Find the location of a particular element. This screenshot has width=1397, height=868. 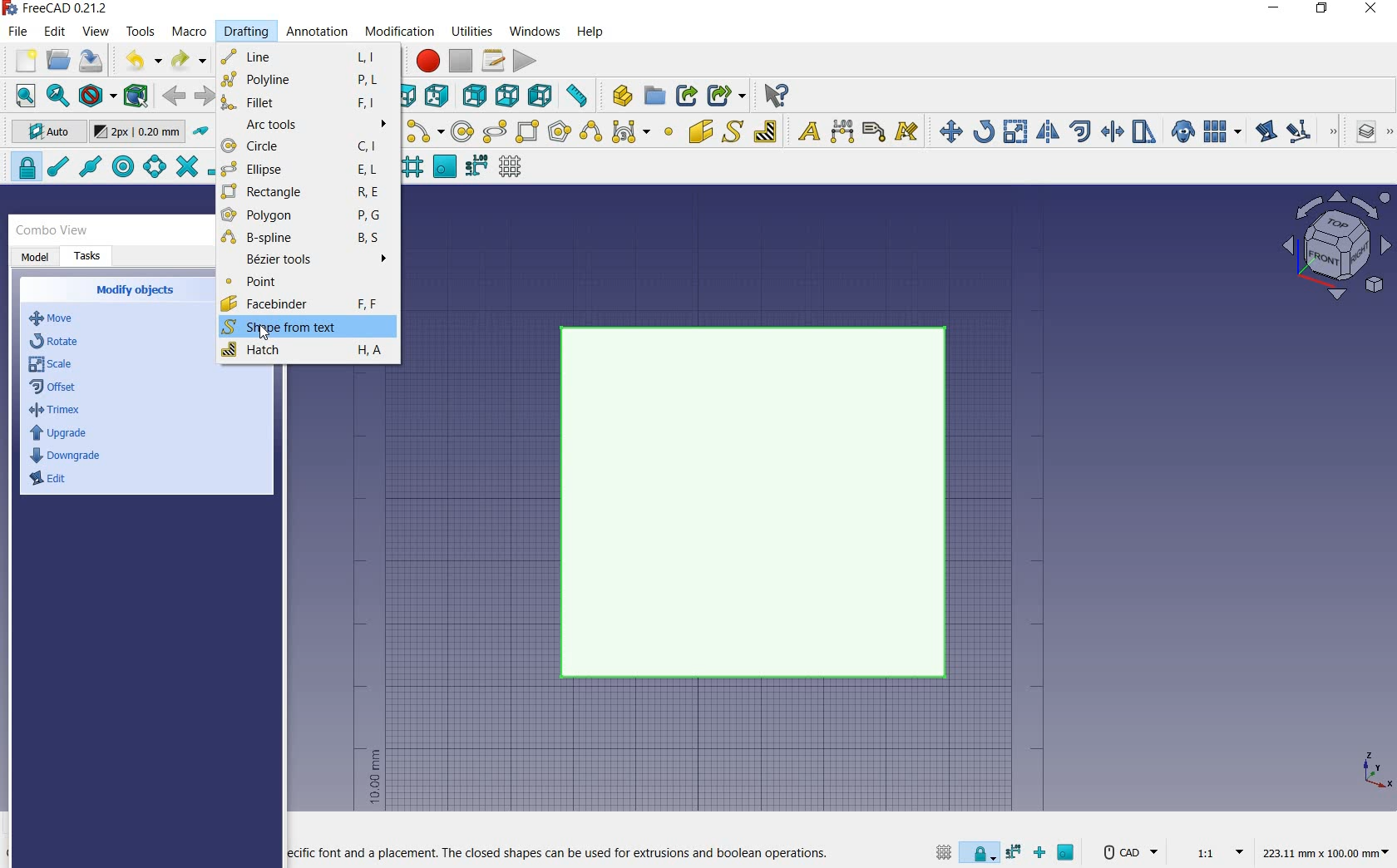

dimension is located at coordinates (1330, 854).